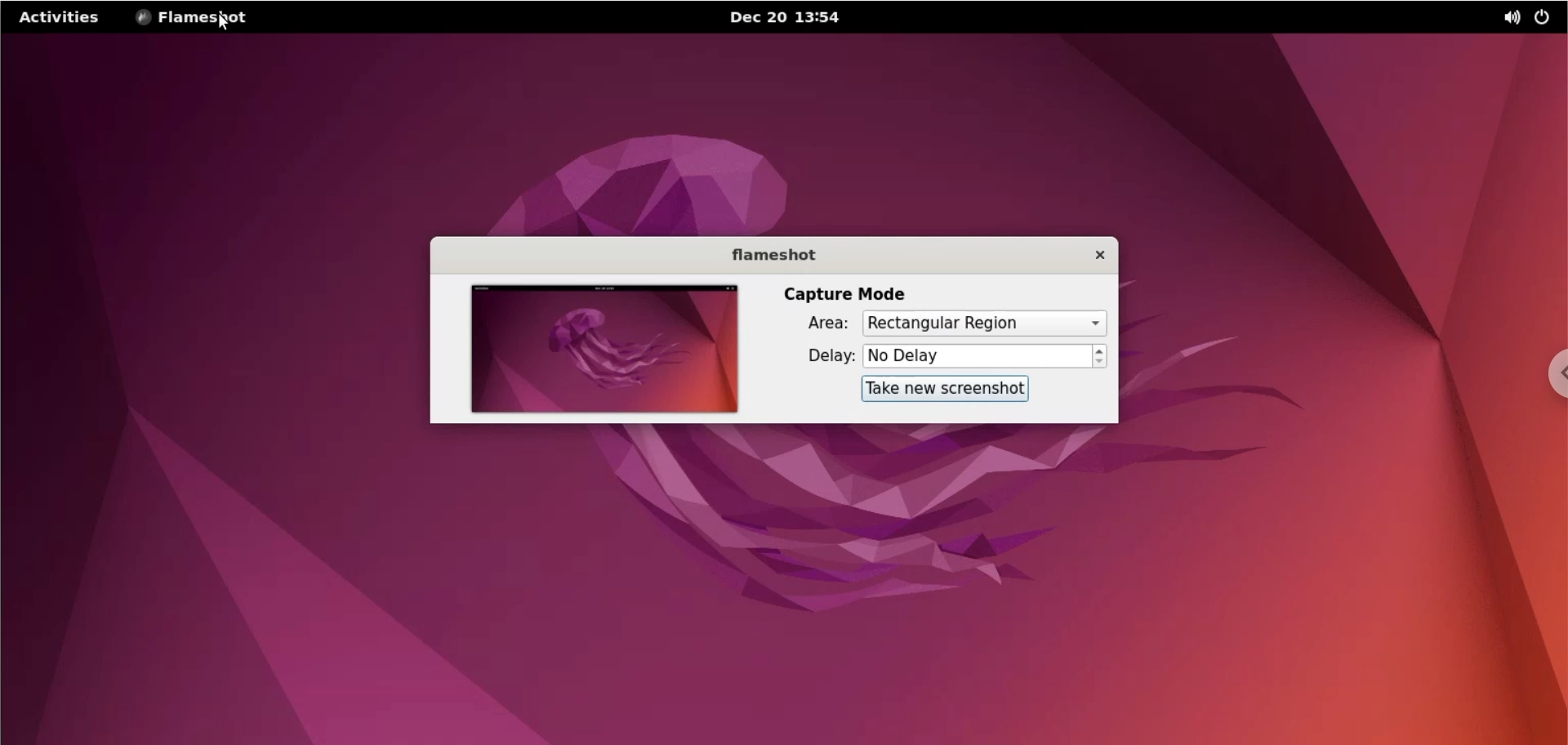  What do you see at coordinates (795, 19) in the screenshot?
I see `Dec 20 13:54` at bounding box center [795, 19].